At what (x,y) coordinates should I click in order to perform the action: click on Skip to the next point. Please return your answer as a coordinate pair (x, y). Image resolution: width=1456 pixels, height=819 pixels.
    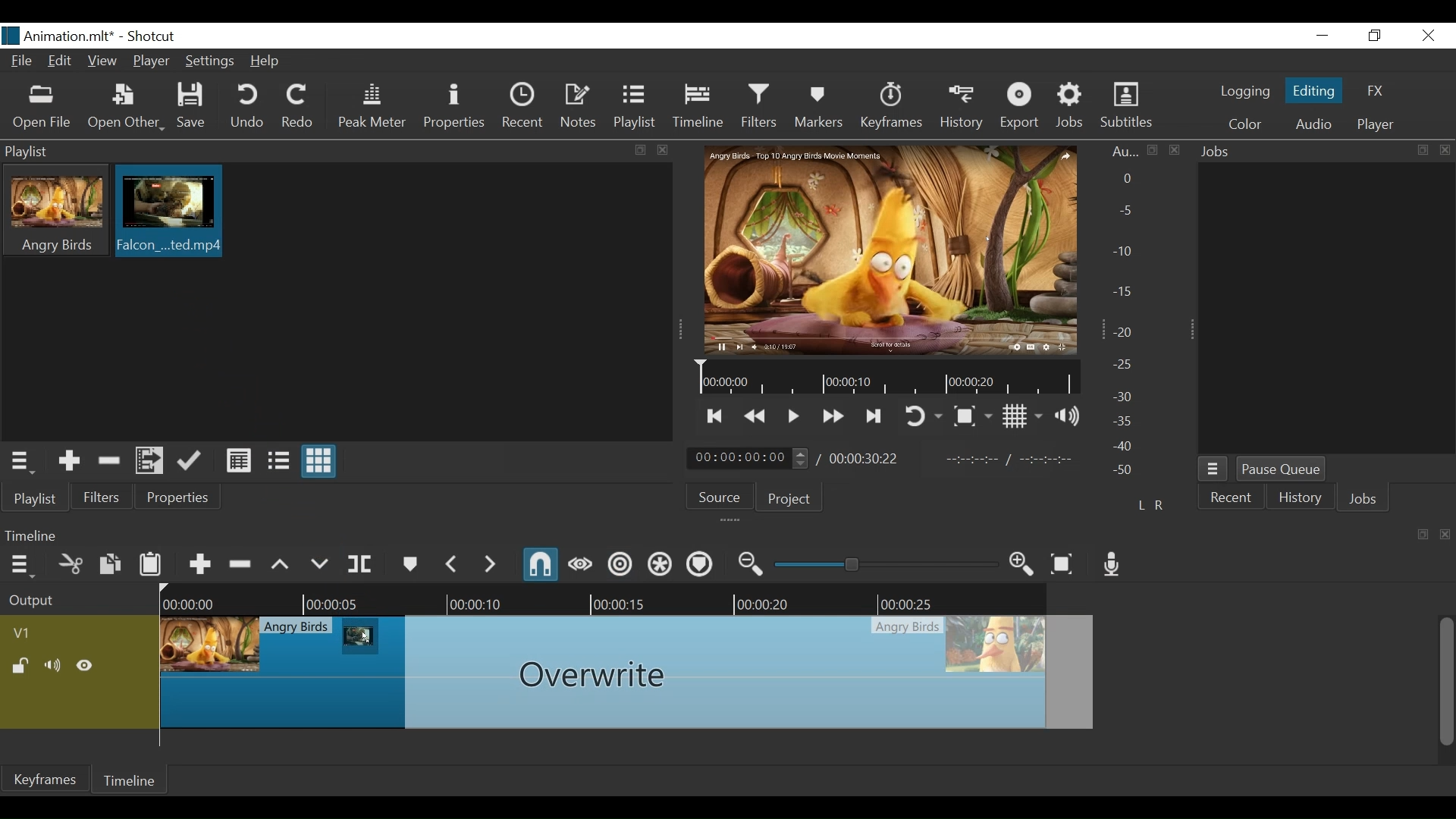
    Looking at the image, I should click on (875, 418).